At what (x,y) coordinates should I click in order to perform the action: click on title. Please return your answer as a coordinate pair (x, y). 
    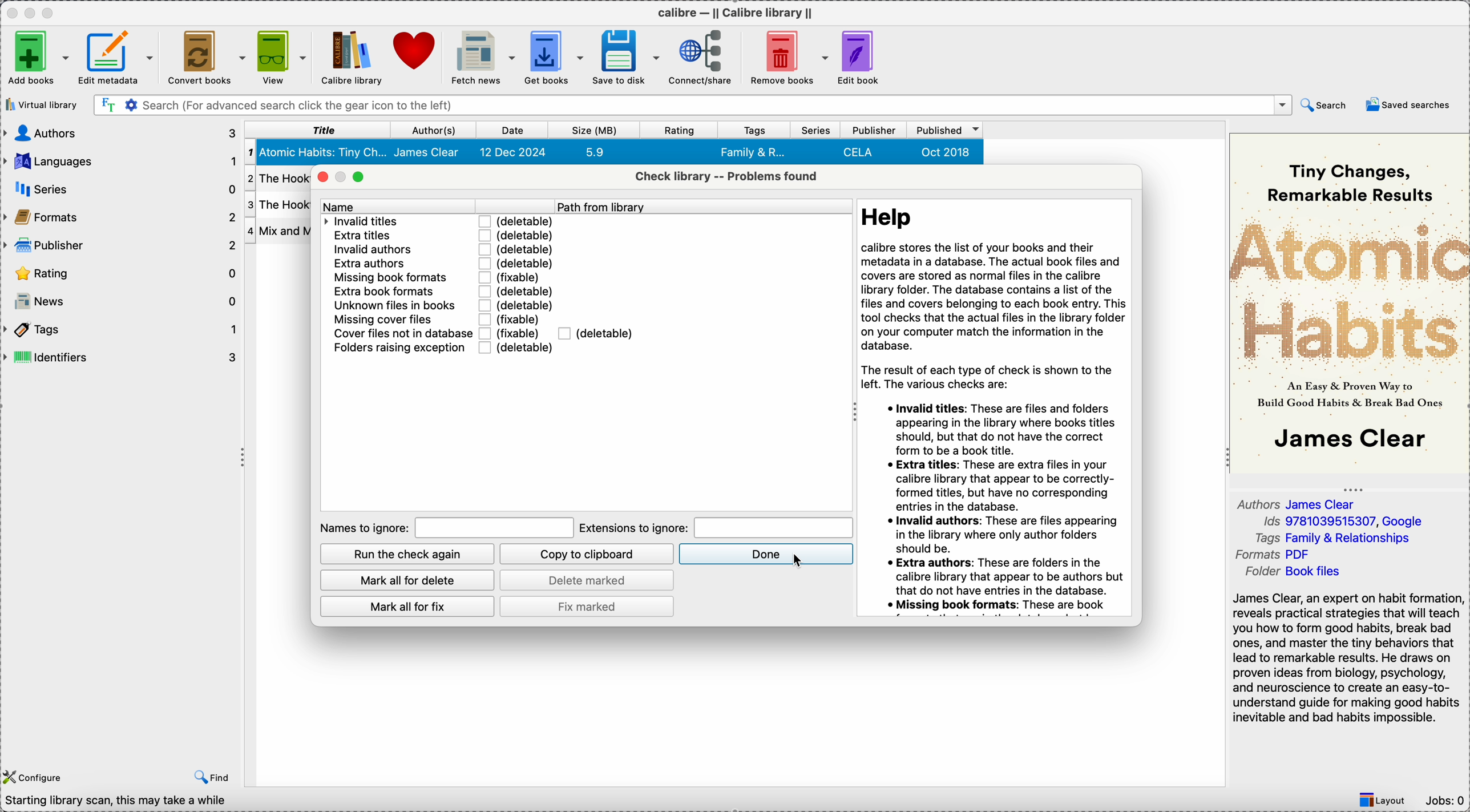
    Looking at the image, I should click on (316, 130).